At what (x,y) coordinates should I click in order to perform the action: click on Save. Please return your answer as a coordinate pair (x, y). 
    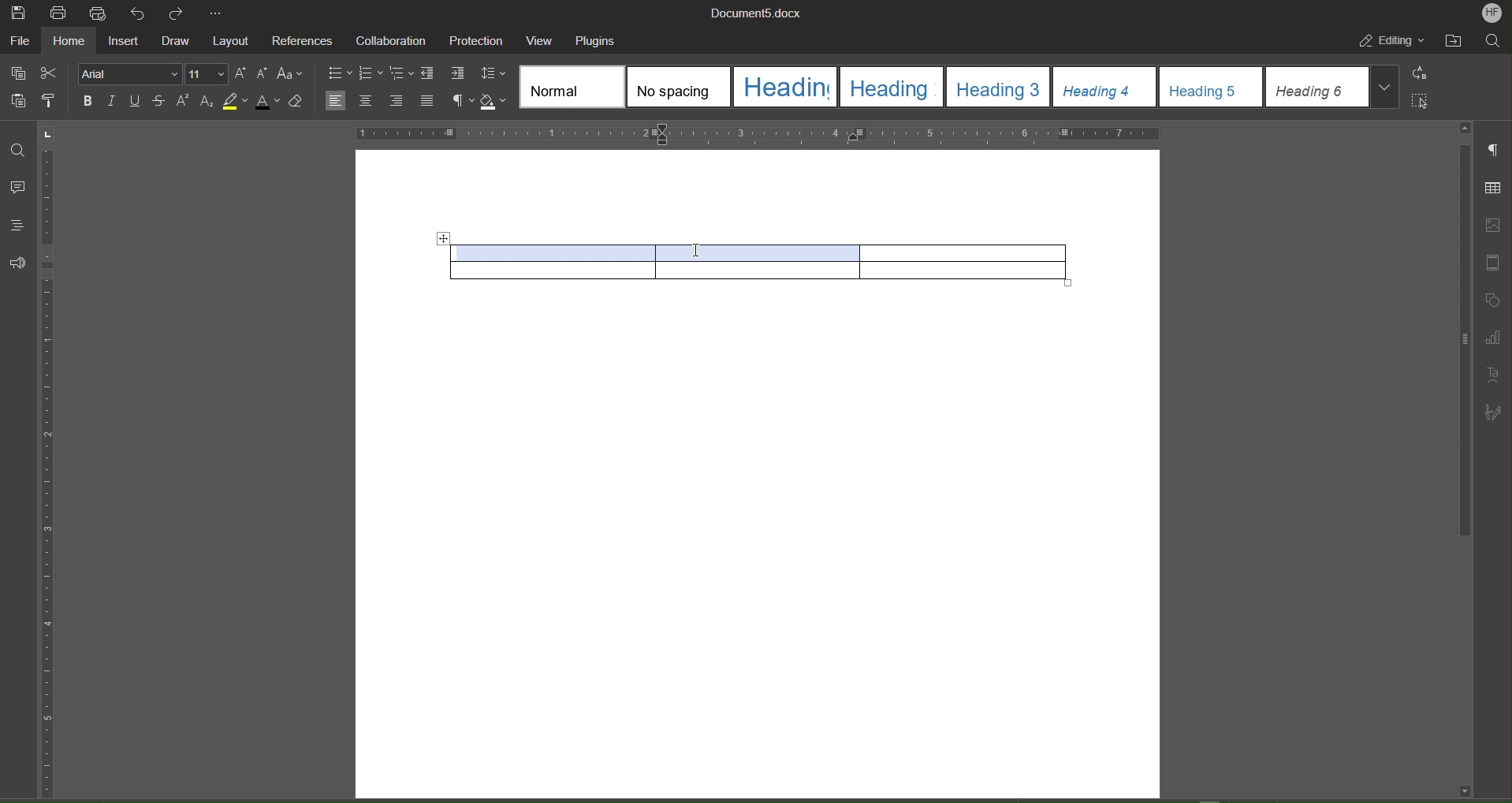
    Looking at the image, I should click on (17, 13).